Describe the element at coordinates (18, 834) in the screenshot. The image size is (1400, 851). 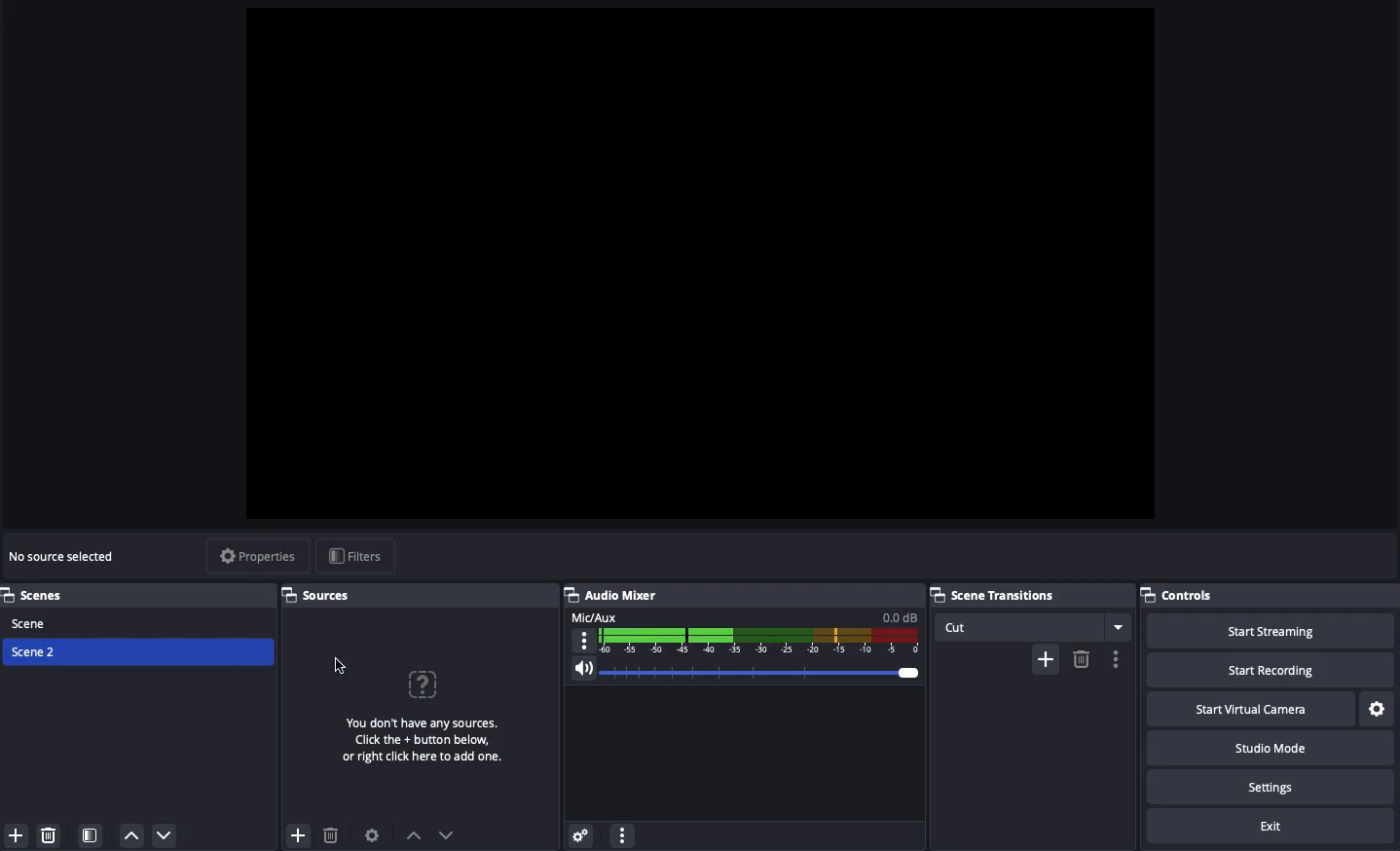
I see `Add` at that location.